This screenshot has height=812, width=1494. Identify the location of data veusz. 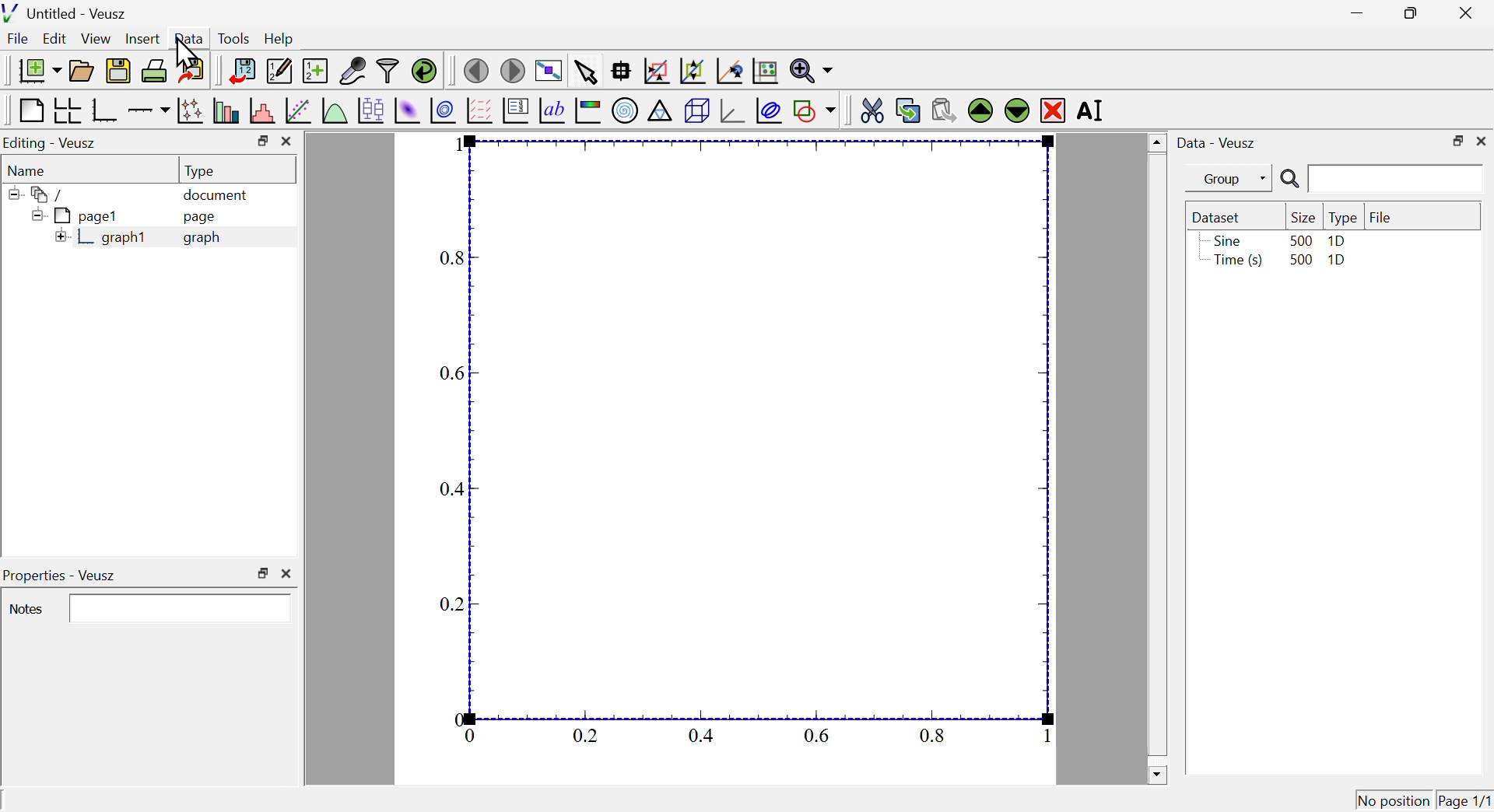
(1217, 142).